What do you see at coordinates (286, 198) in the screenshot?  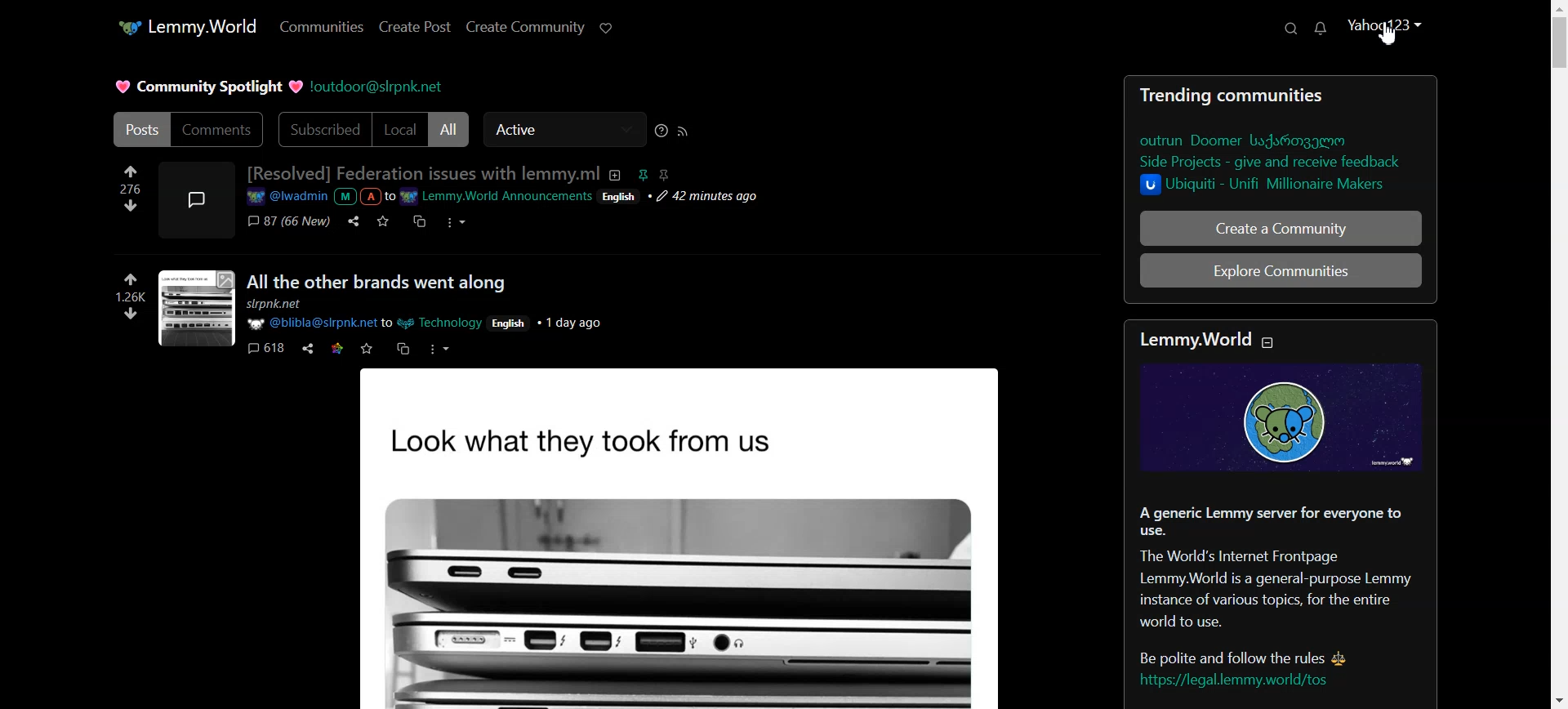 I see `@lwadmin` at bounding box center [286, 198].